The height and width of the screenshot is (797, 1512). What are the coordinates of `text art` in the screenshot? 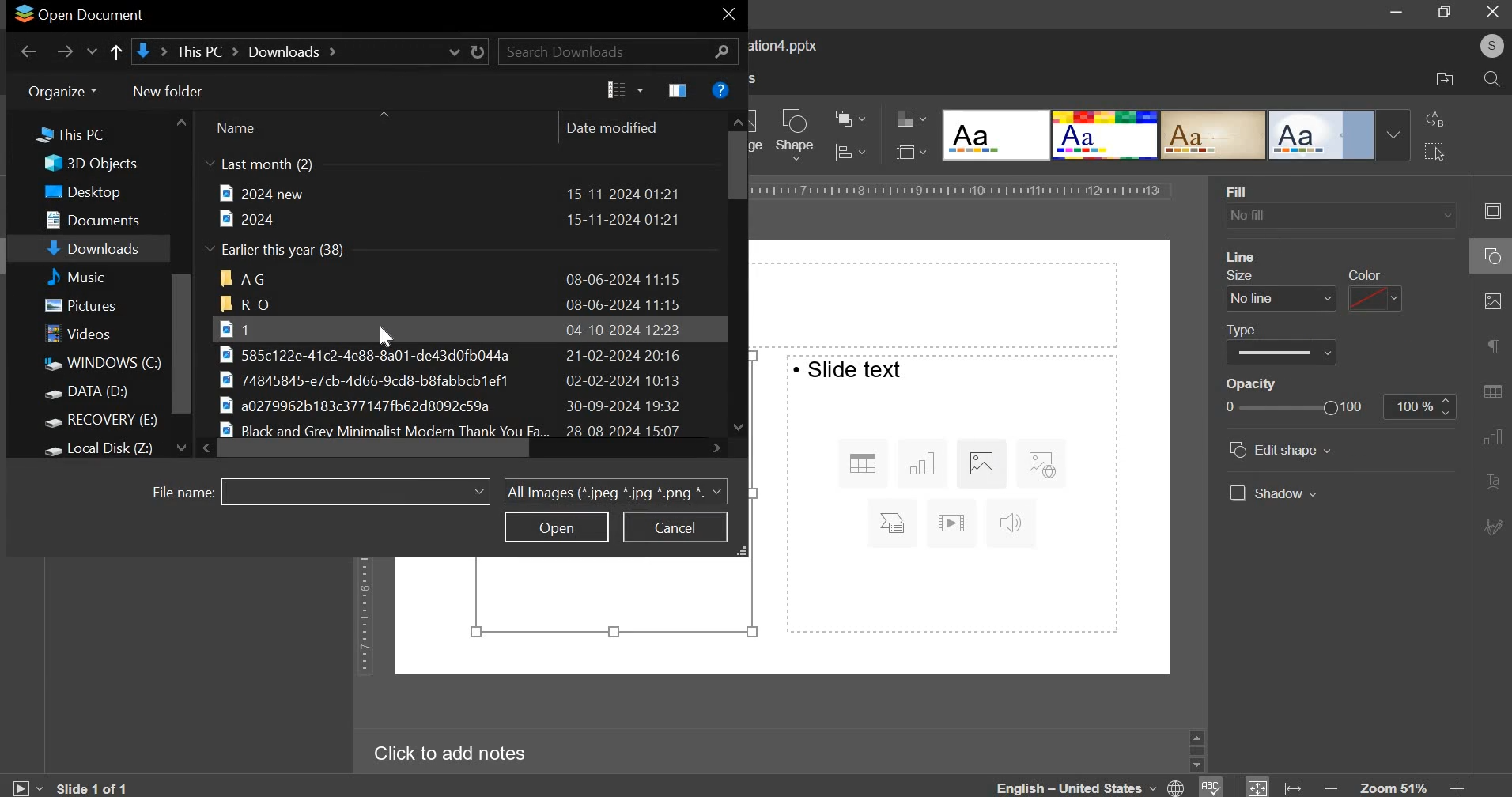 It's located at (1491, 483).